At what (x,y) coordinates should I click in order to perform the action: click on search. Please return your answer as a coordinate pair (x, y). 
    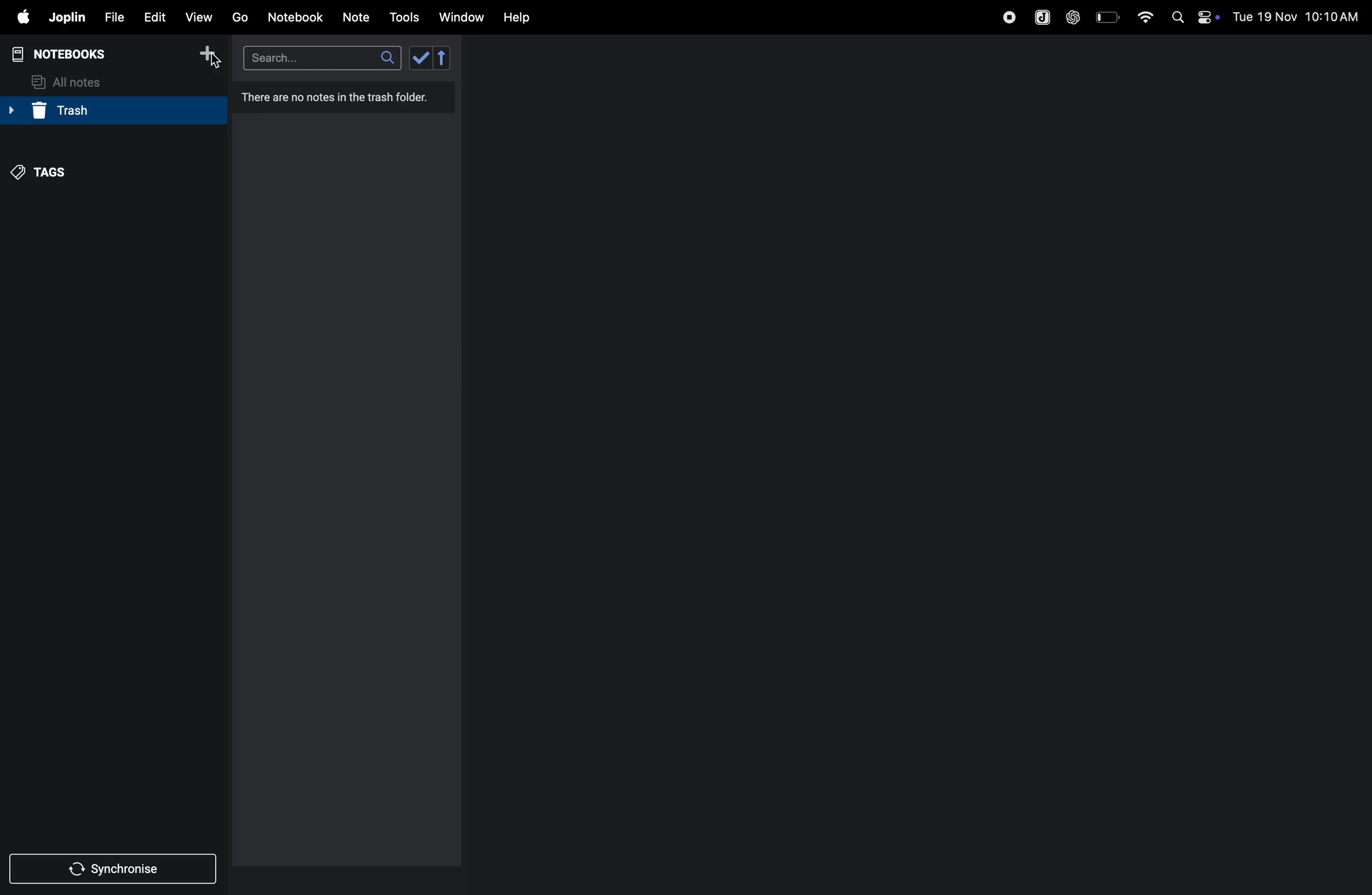
    Looking at the image, I should click on (1175, 17).